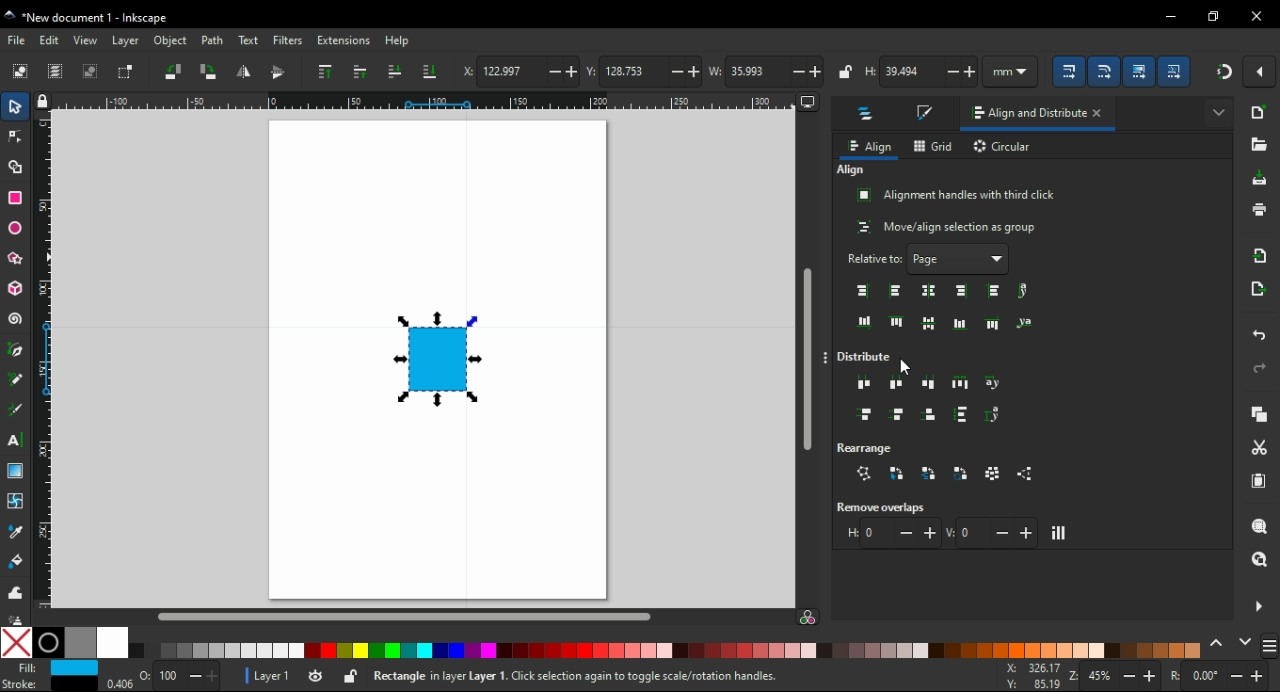 The image size is (1280, 692). What do you see at coordinates (127, 73) in the screenshot?
I see `toggle selection box to select all touched objects ` at bounding box center [127, 73].